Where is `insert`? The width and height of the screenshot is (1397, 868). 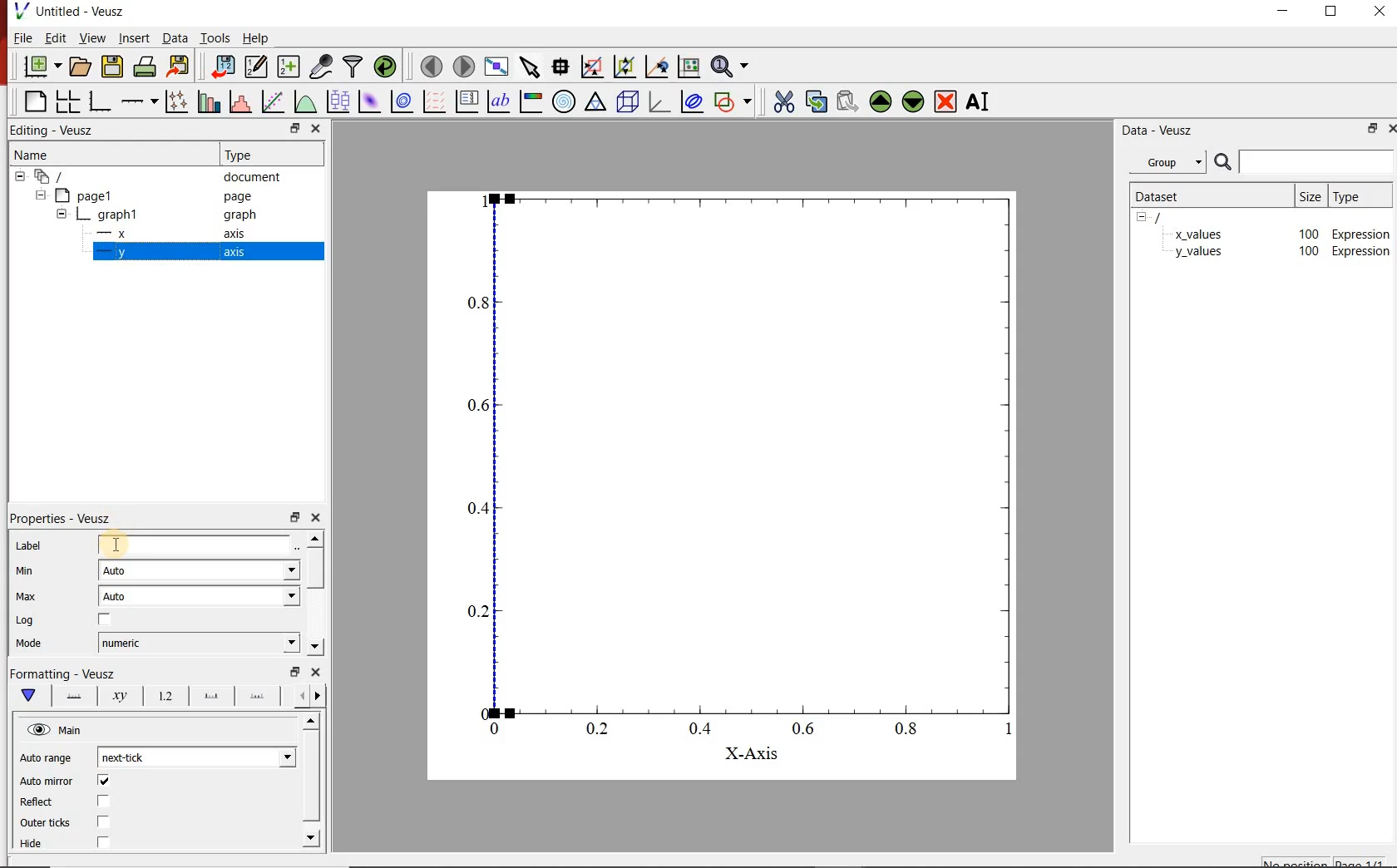
insert is located at coordinates (134, 37).